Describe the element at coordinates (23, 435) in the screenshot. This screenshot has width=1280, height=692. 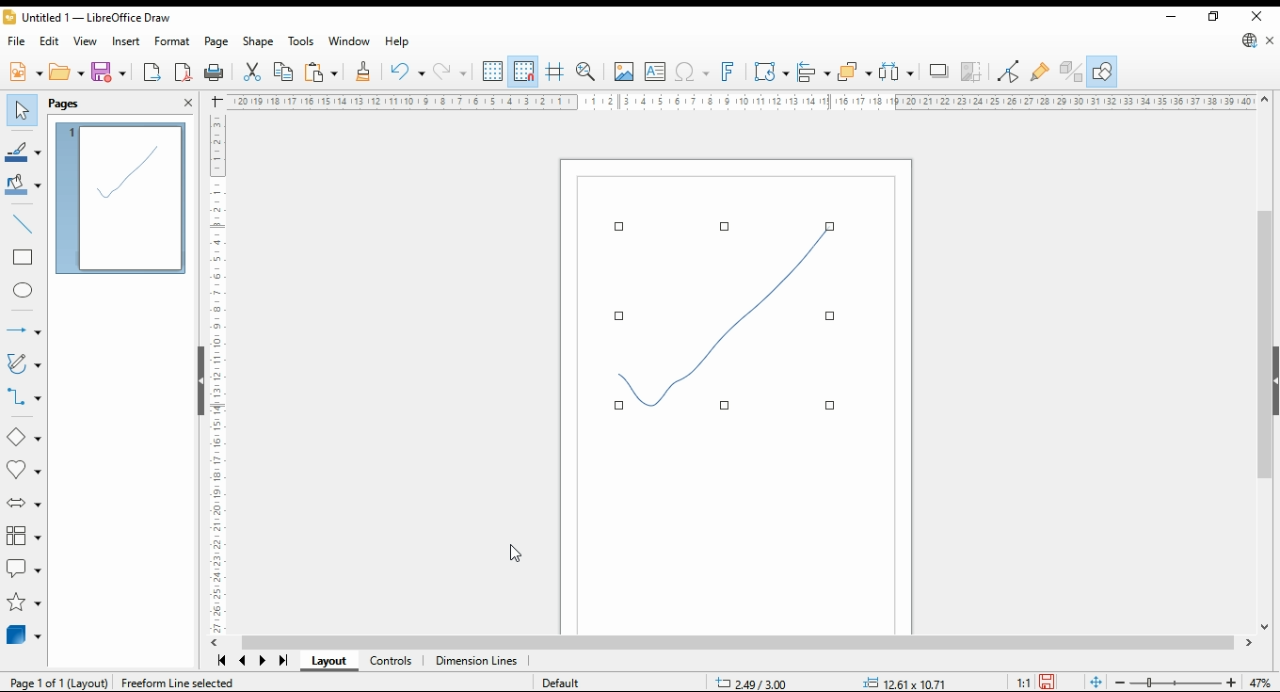
I see `basic shapes` at that location.